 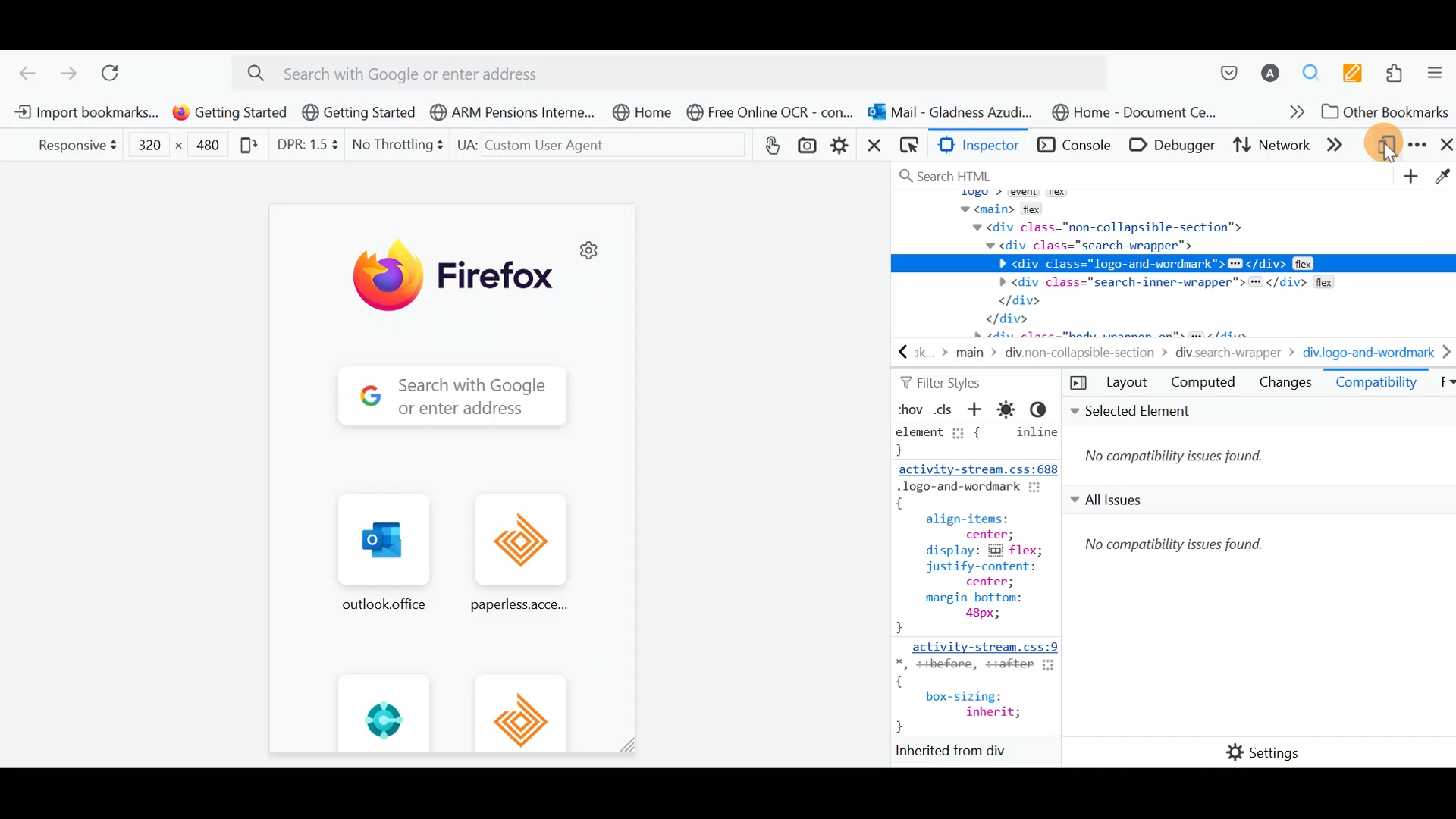 What do you see at coordinates (1140, 112) in the screenshot?
I see `Bookmark 8` at bounding box center [1140, 112].